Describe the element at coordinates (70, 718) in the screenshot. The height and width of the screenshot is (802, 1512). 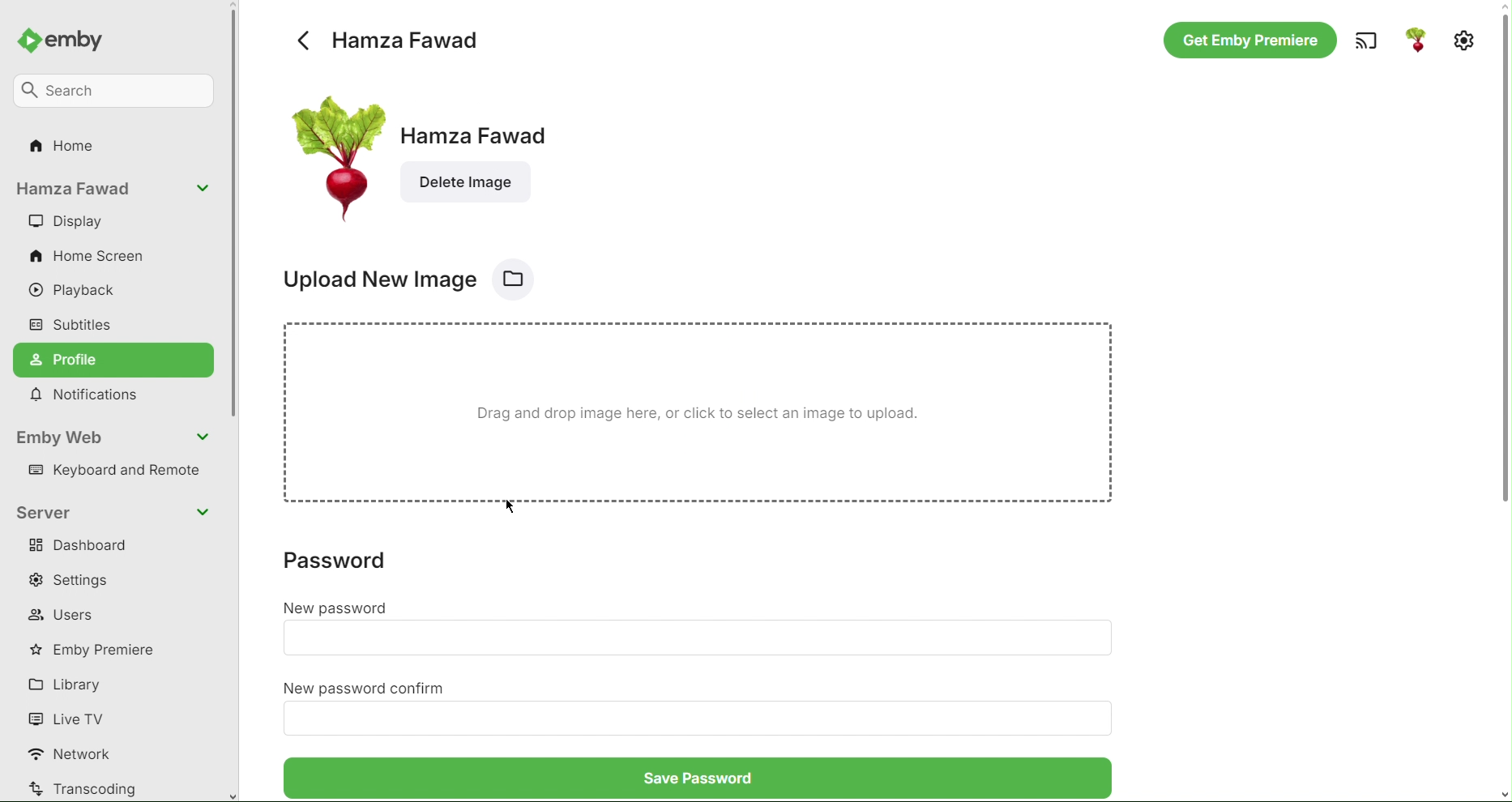
I see `Live TV` at that location.